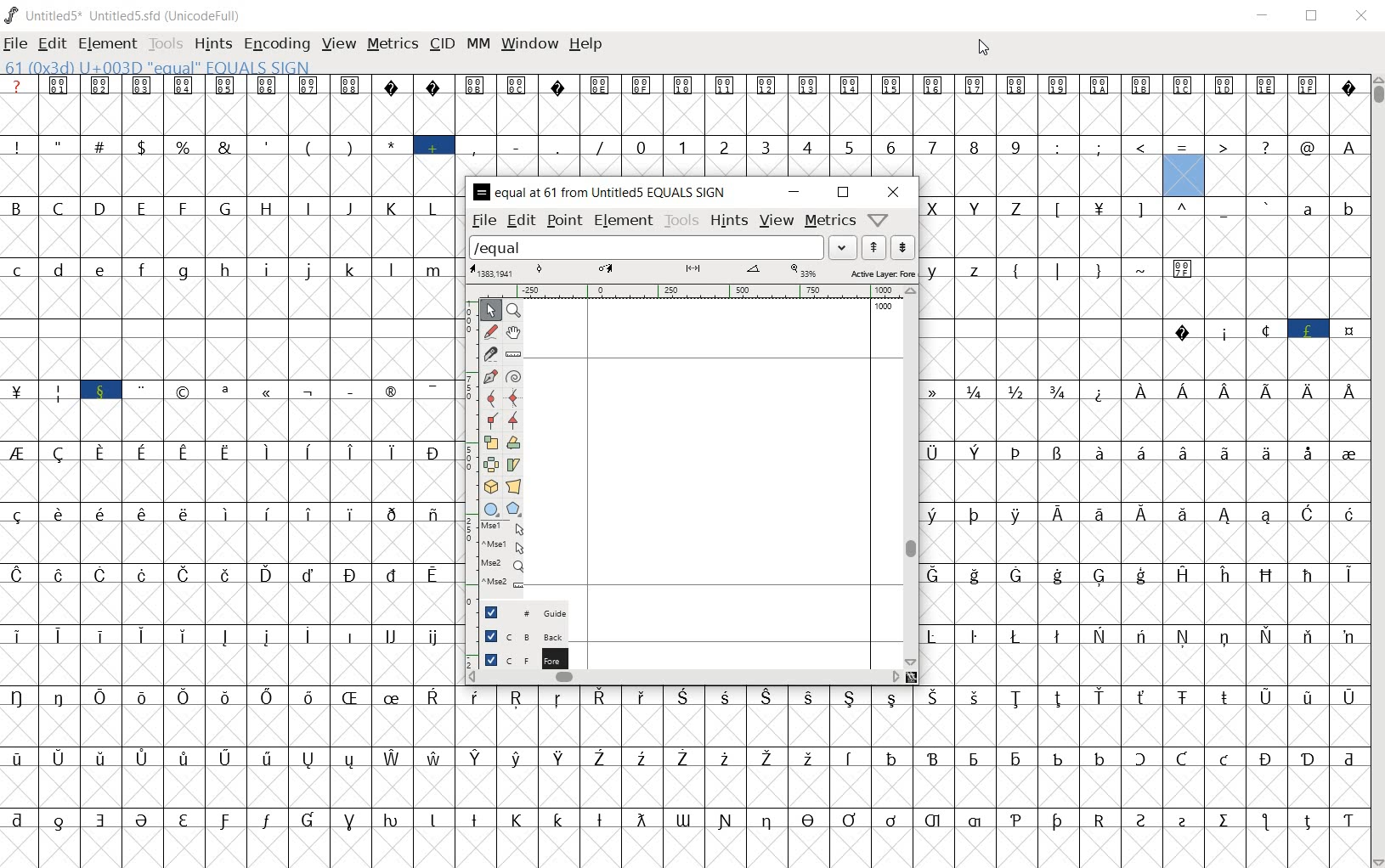 The image size is (1385, 868). Describe the element at coordinates (490, 398) in the screenshot. I see `add a curve point` at that location.